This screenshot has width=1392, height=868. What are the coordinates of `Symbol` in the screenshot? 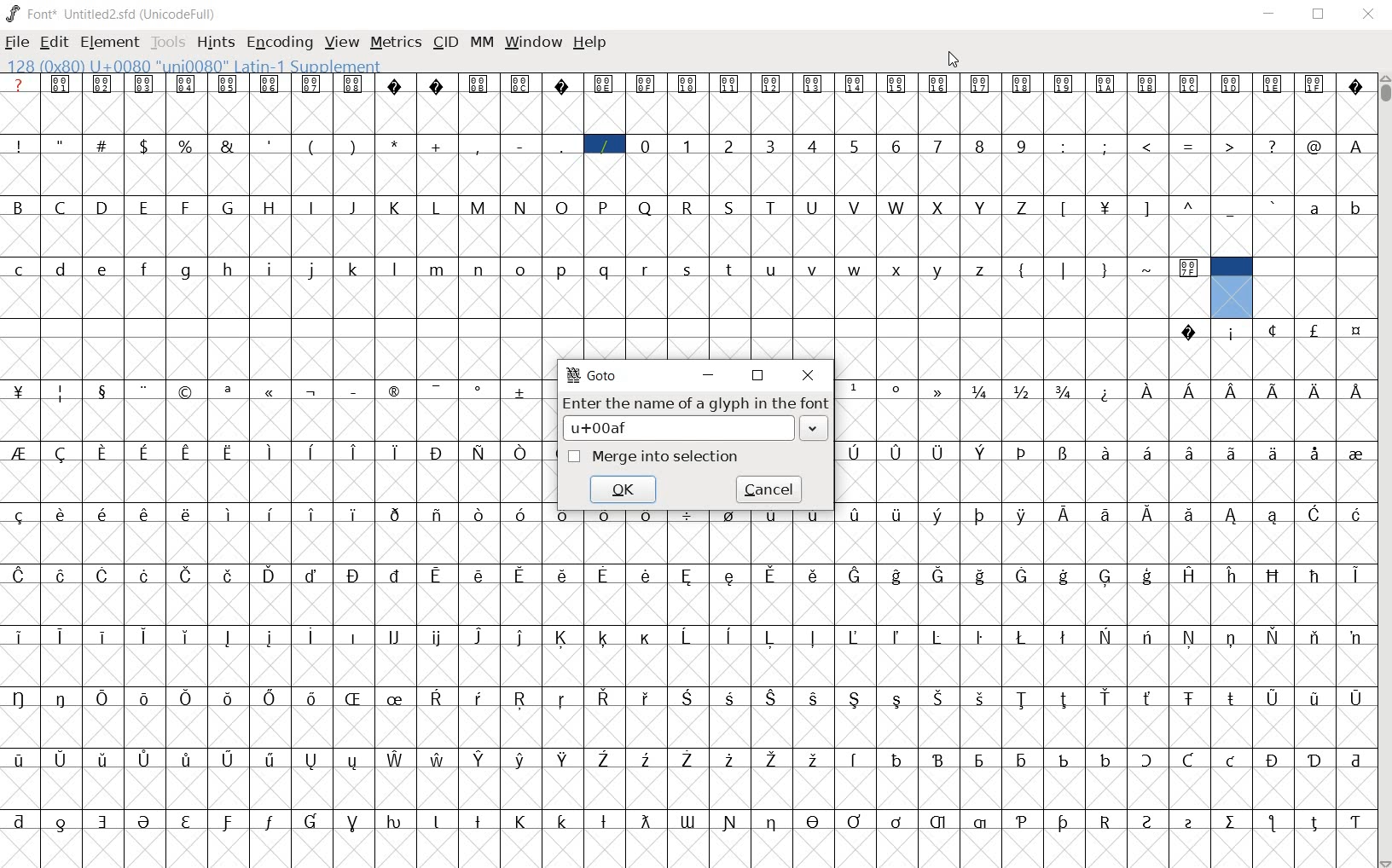 It's located at (774, 821).